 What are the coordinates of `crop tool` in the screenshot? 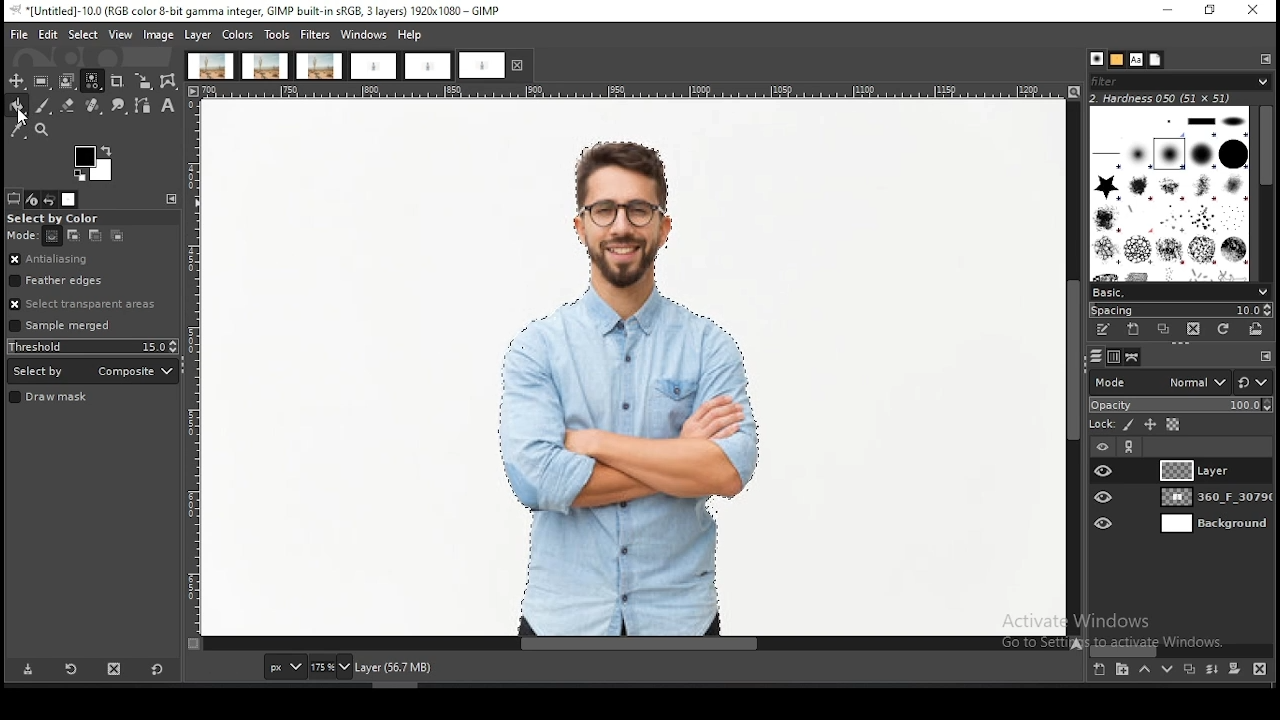 It's located at (117, 83).